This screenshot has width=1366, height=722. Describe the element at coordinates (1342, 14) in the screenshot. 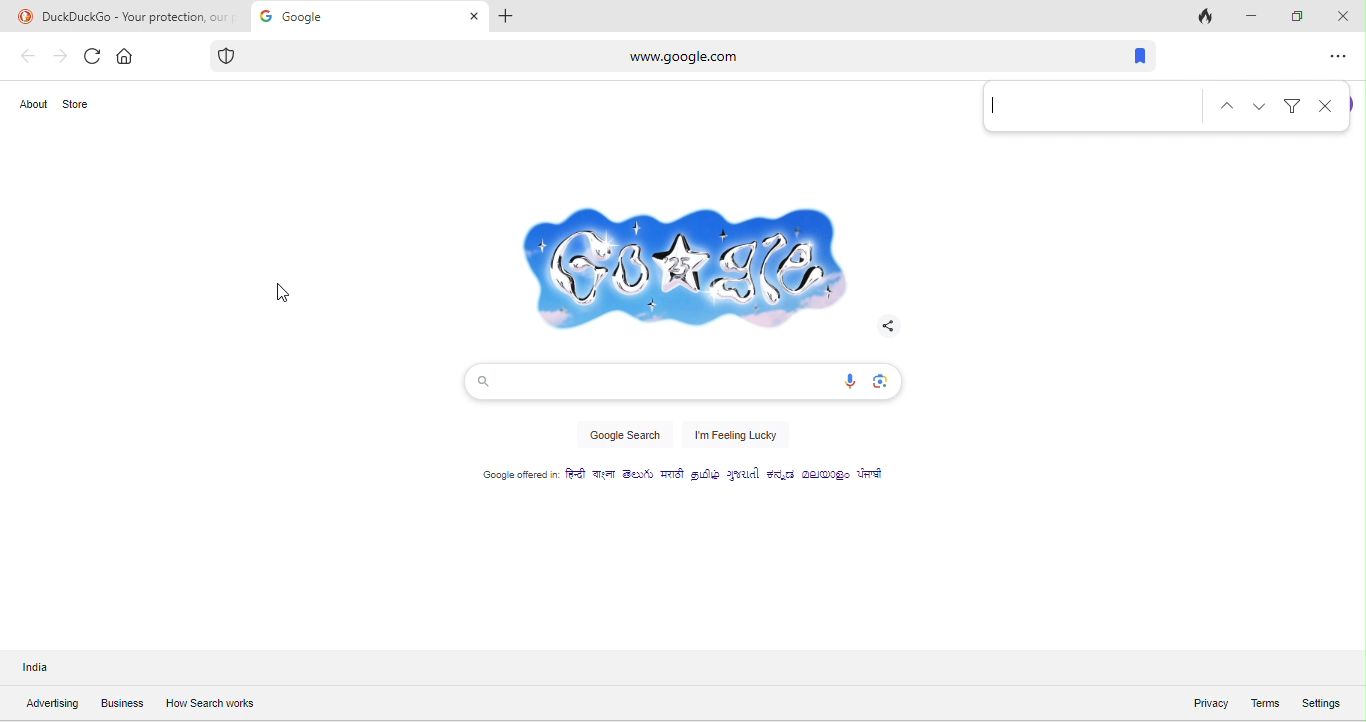

I see `close` at that location.